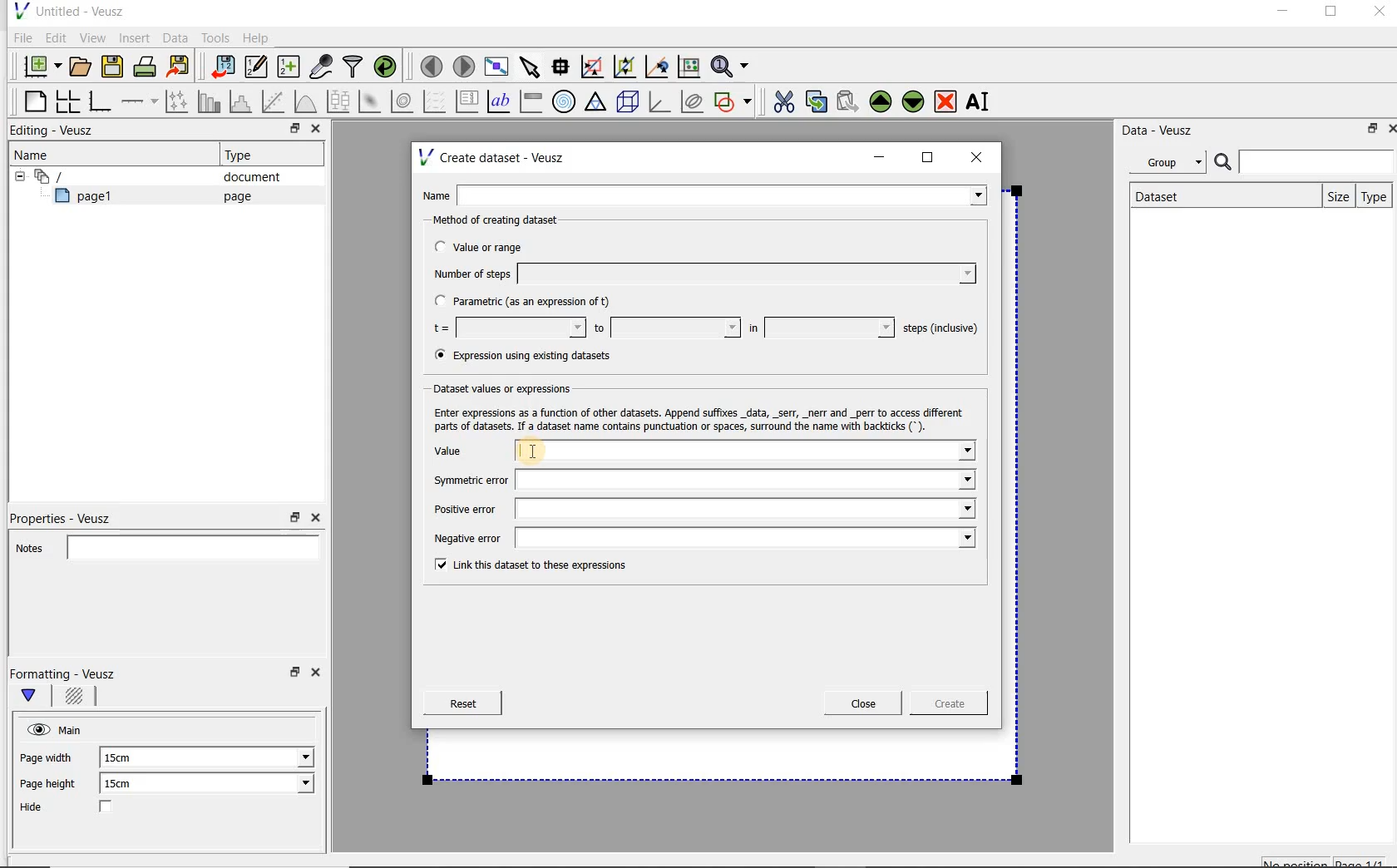 This screenshot has width=1397, height=868. What do you see at coordinates (179, 68) in the screenshot?
I see `Export to graphics format` at bounding box center [179, 68].